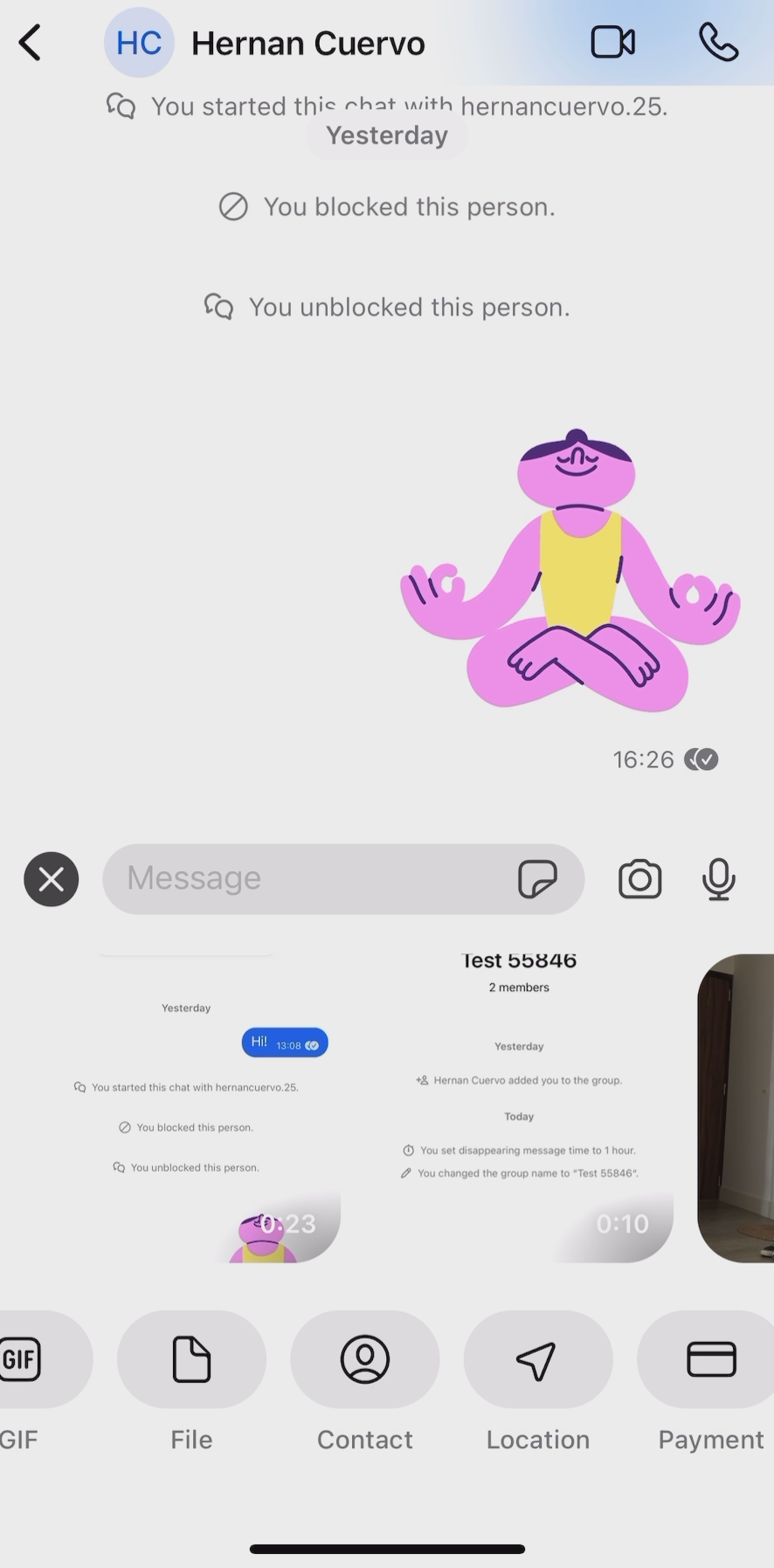 The width and height of the screenshot is (774, 1568). Describe the element at coordinates (399, 447) in the screenshot. I see `activity chat` at that location.